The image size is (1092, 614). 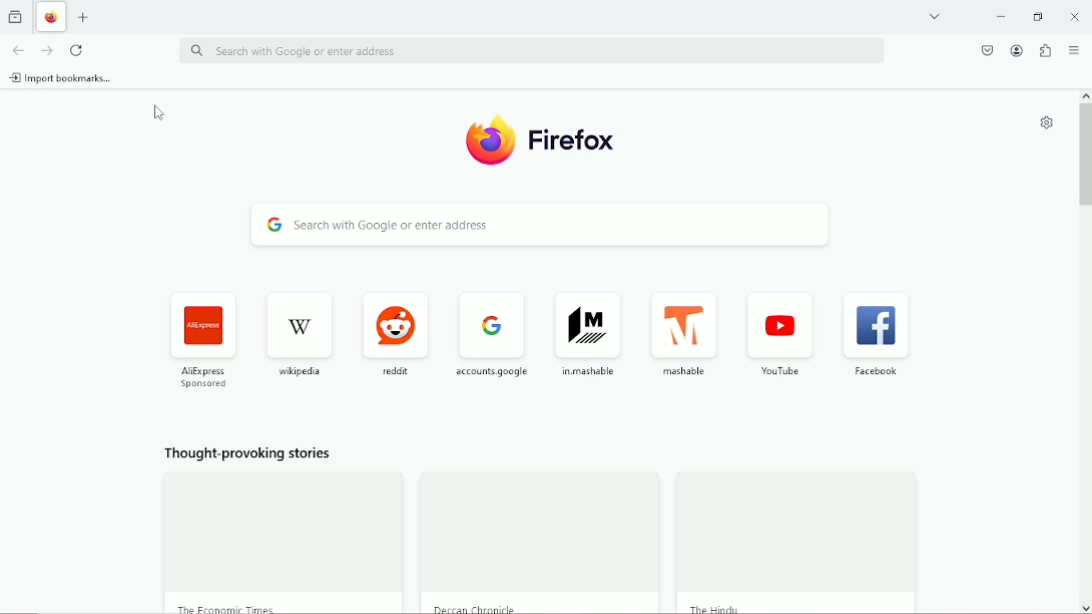 I want to click on View recent browsing, so click(x=15, y=16).